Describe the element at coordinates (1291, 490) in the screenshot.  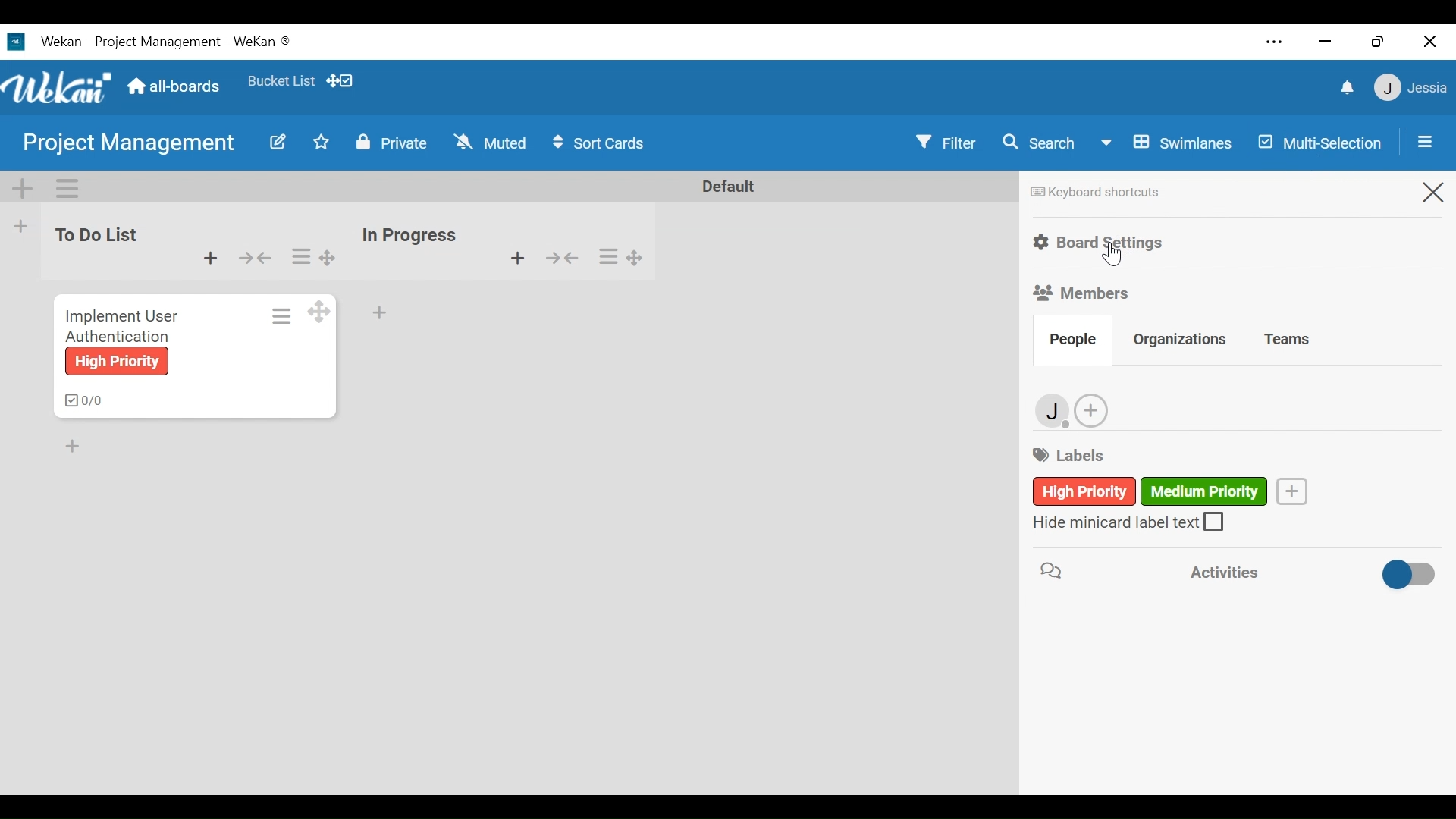
I see `Create labels` at that location.